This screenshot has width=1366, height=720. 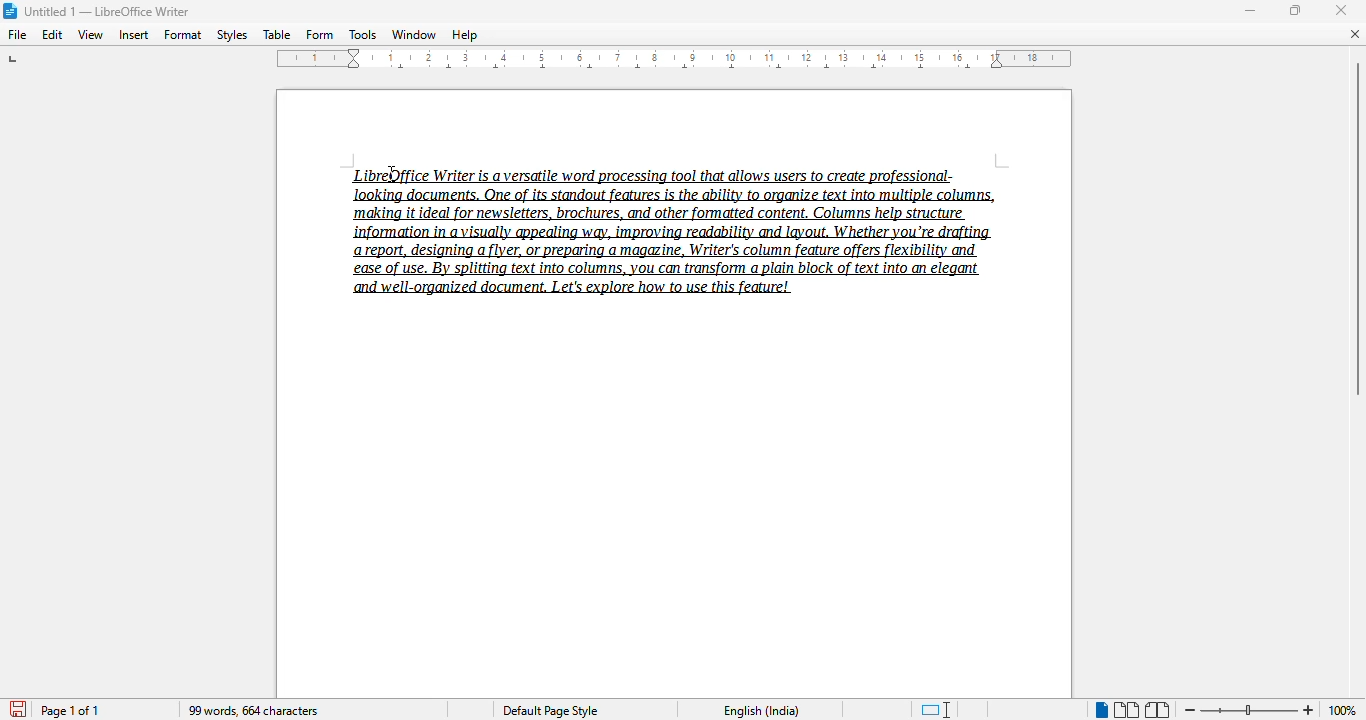 What do you see at coordinates (320, 34) in the screenshot?
I see `form` at bounding box center [320, 34].